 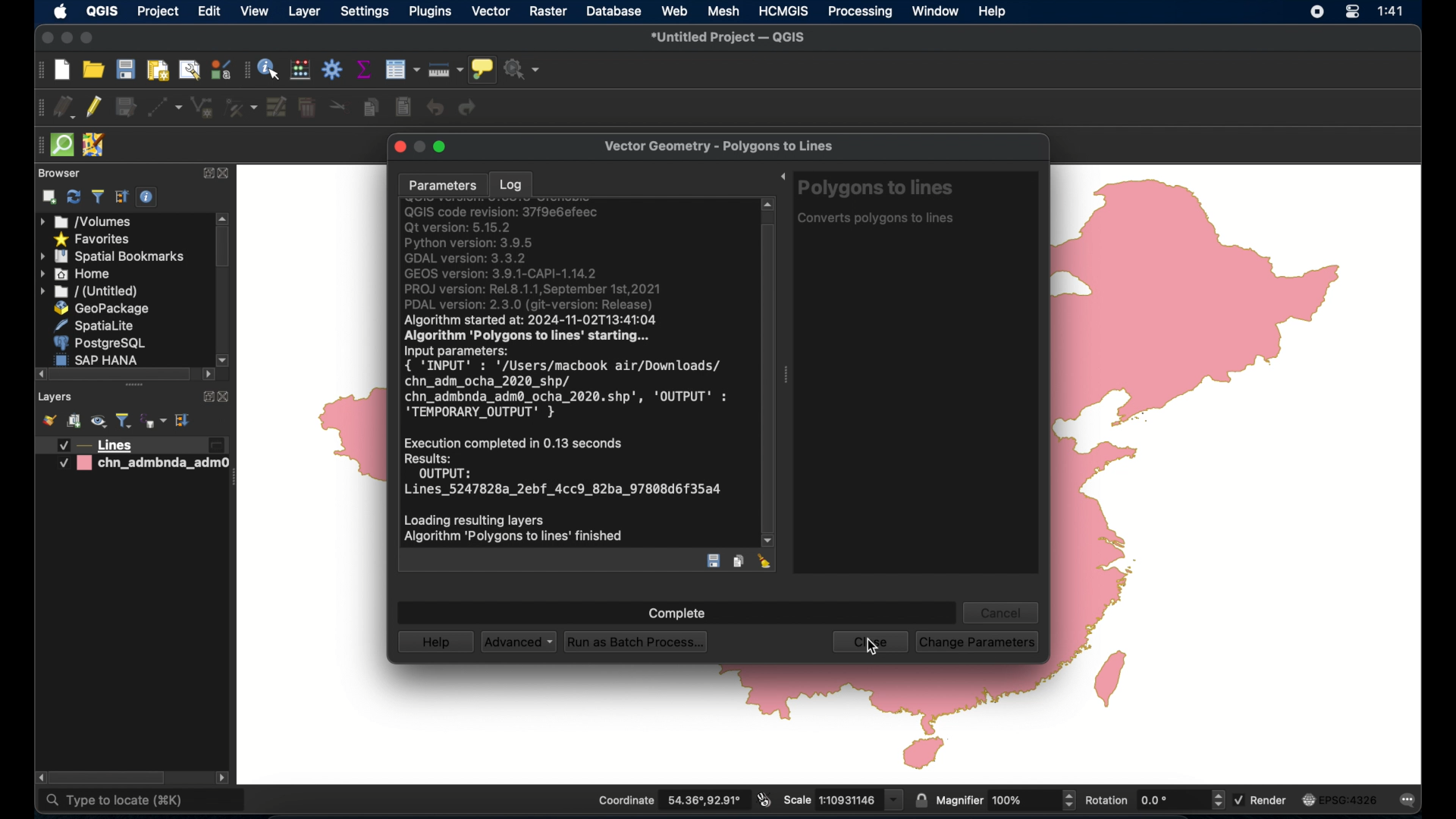 I want to click on expand all, so click(x=122, y=197).